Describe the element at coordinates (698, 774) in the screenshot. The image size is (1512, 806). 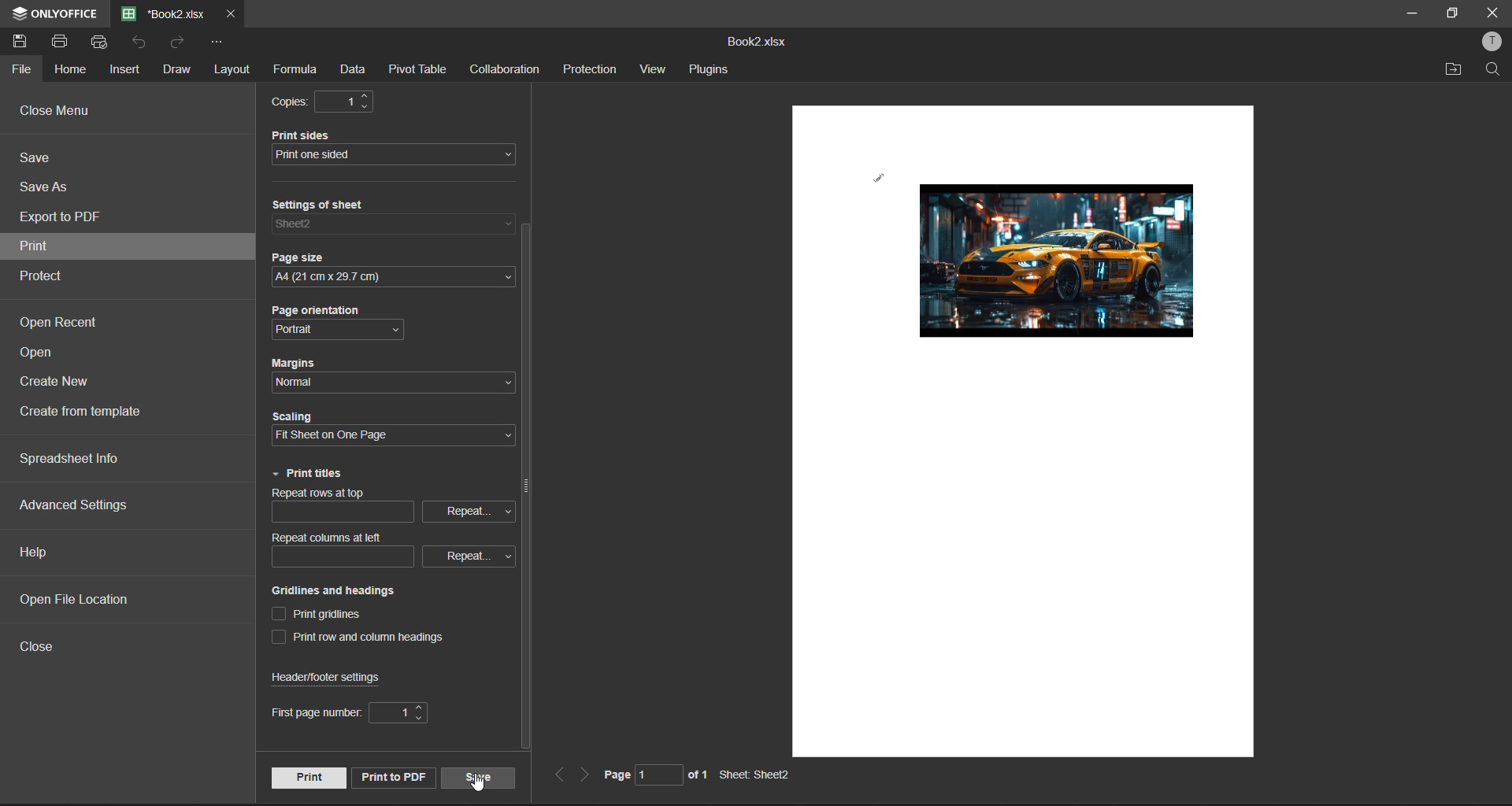
I see `out of page ` at that location.